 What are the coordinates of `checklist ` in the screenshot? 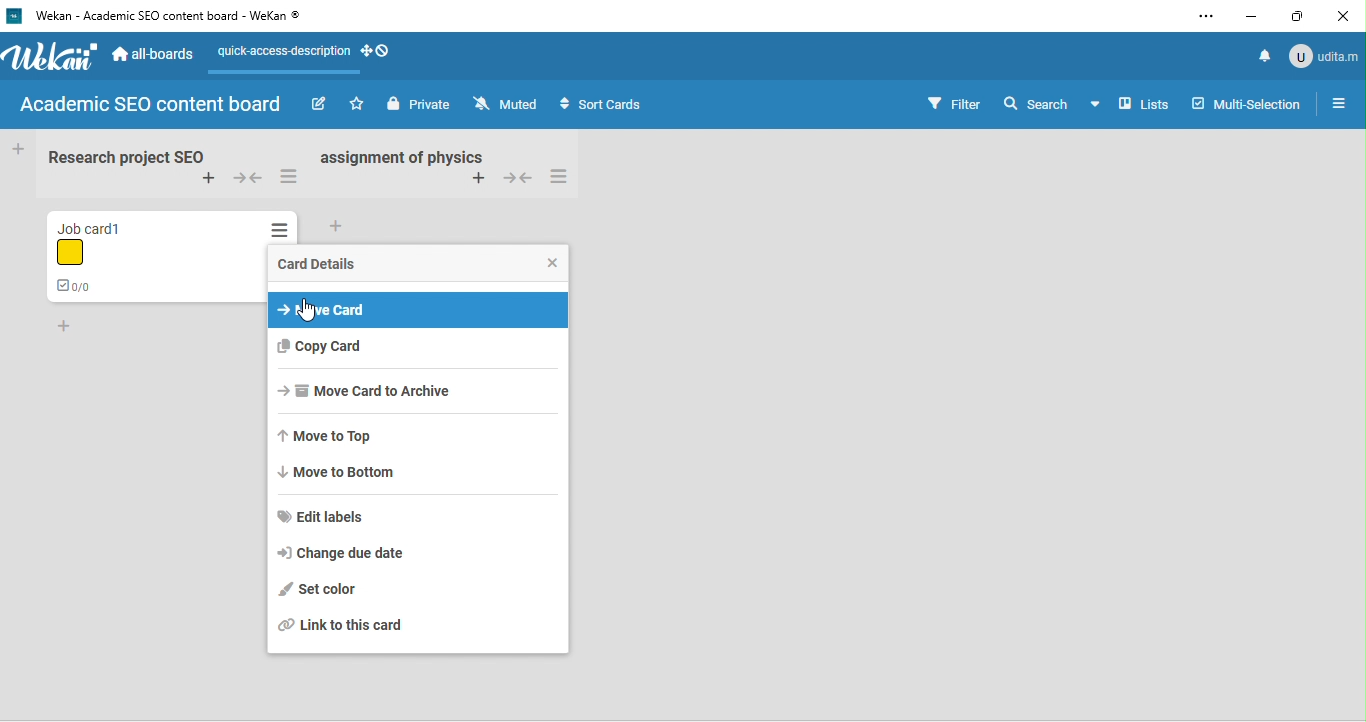 It's located at (74, 287).